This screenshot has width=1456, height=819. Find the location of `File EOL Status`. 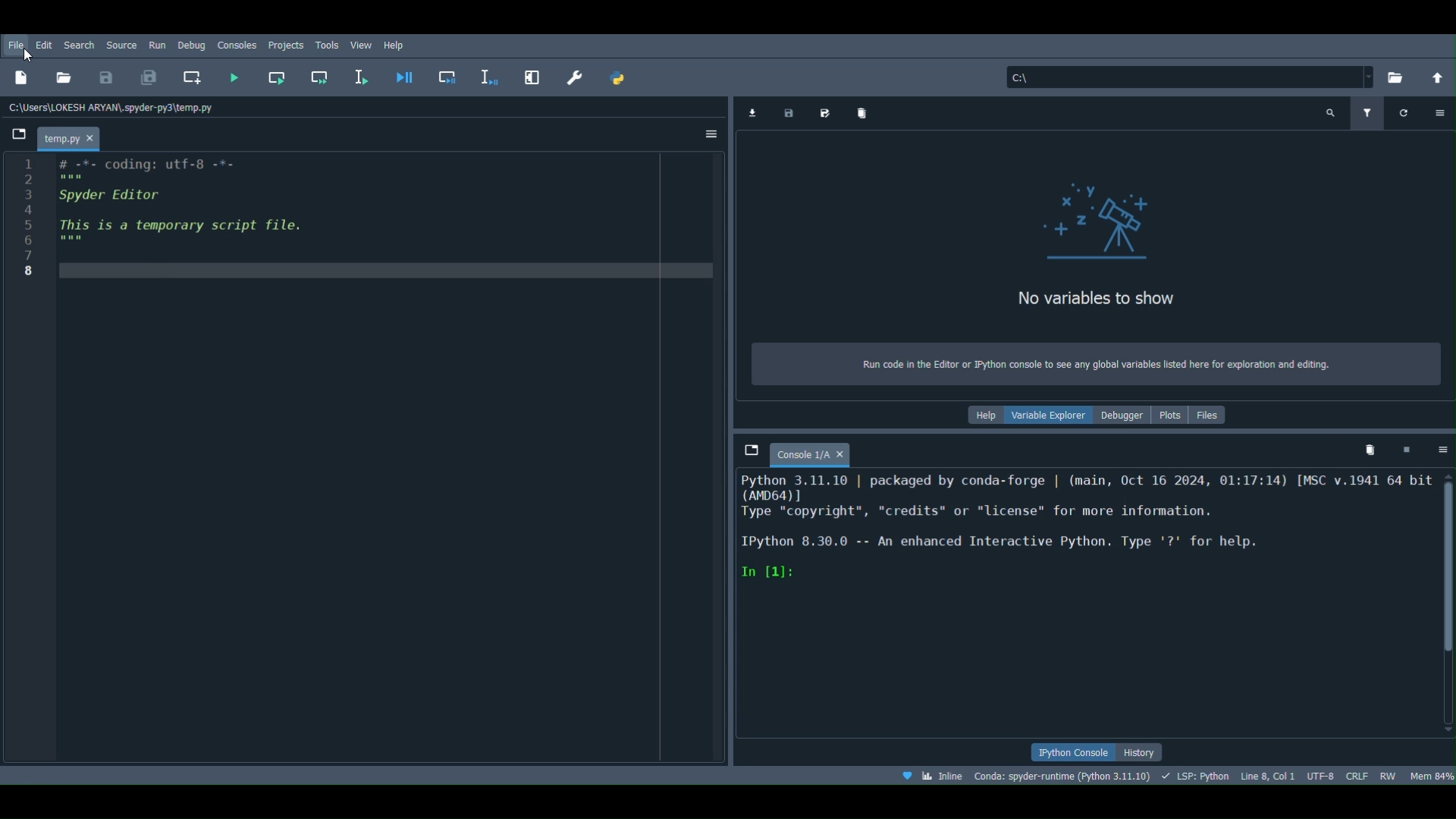

File EOL Status is located at coordinates (1359, 774).